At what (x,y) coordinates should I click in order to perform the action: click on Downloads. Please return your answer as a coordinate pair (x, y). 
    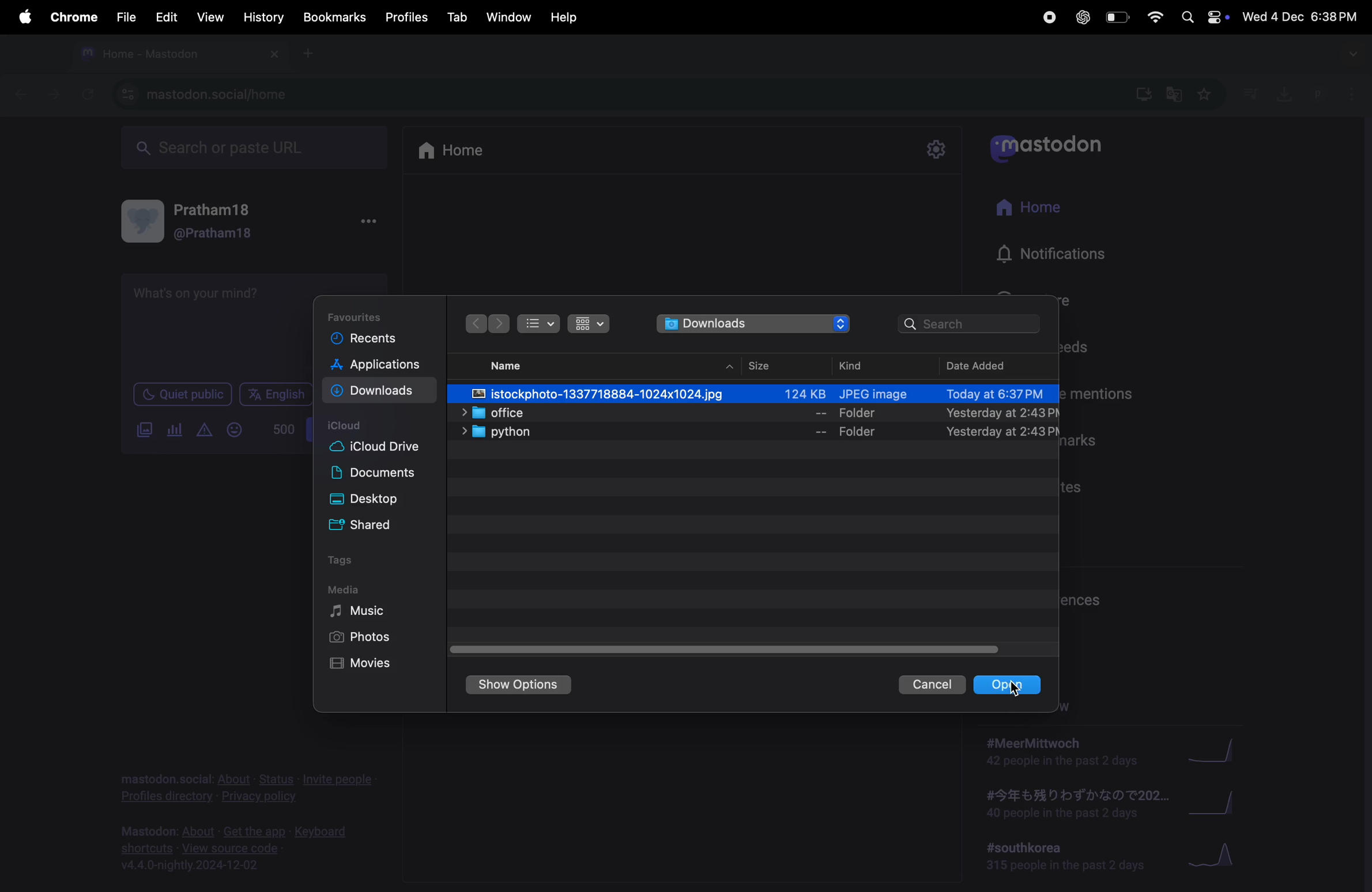
    Looking at the image, I should click on (377, 391).